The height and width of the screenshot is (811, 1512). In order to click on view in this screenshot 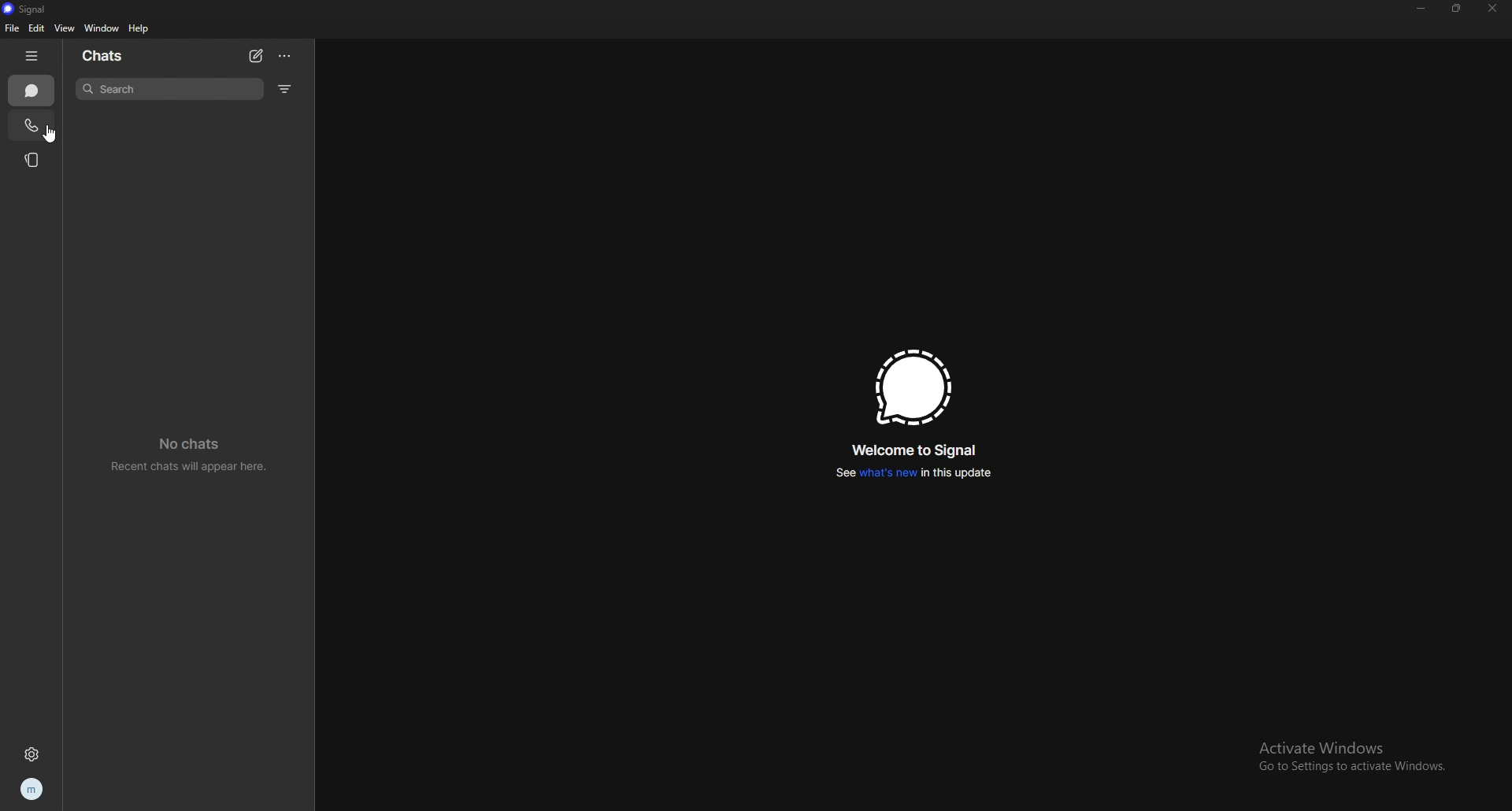, I will do `click(64, 28)`.